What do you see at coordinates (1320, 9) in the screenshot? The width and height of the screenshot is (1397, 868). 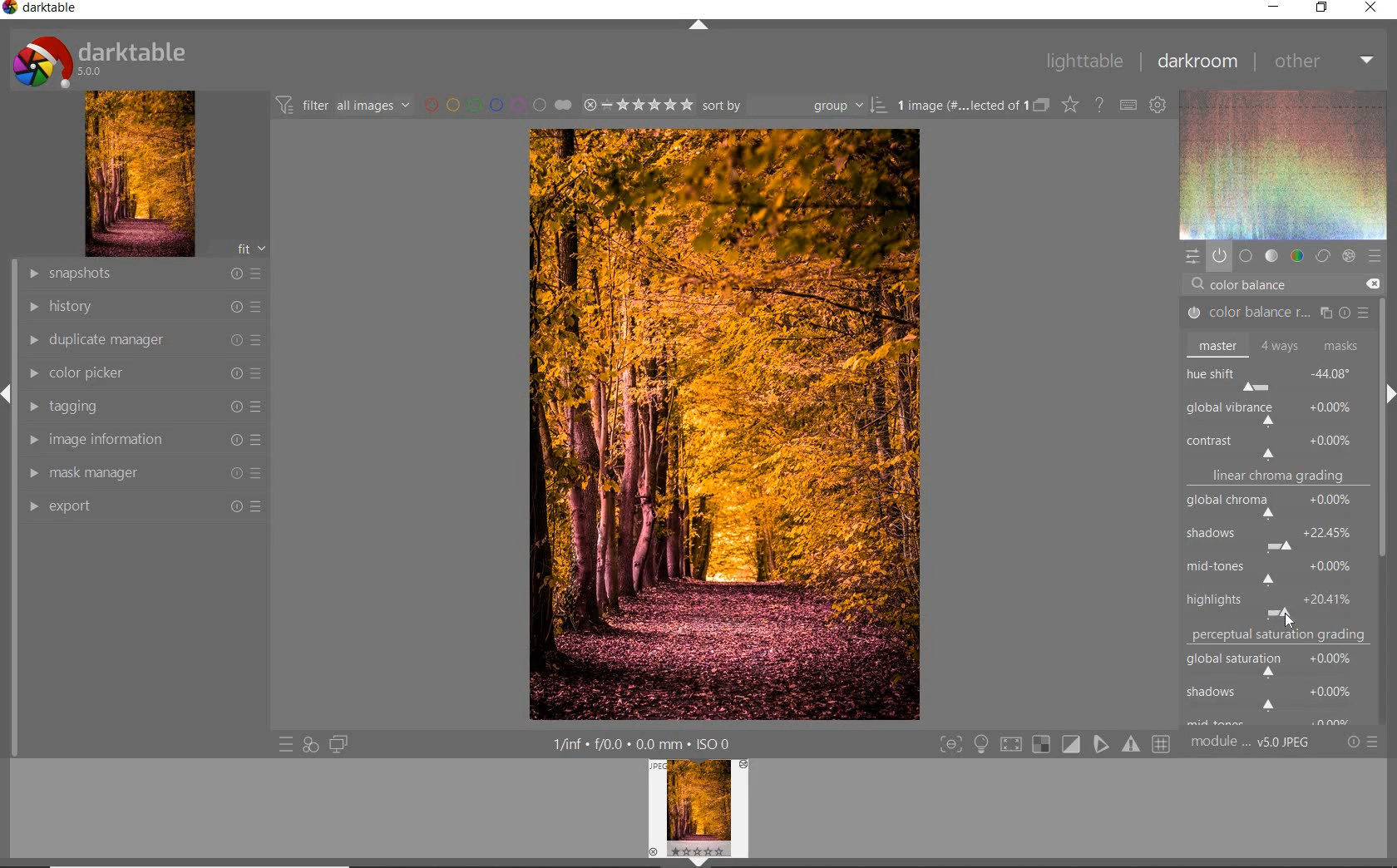 I see `restore` at bounding box center [1320, 9].